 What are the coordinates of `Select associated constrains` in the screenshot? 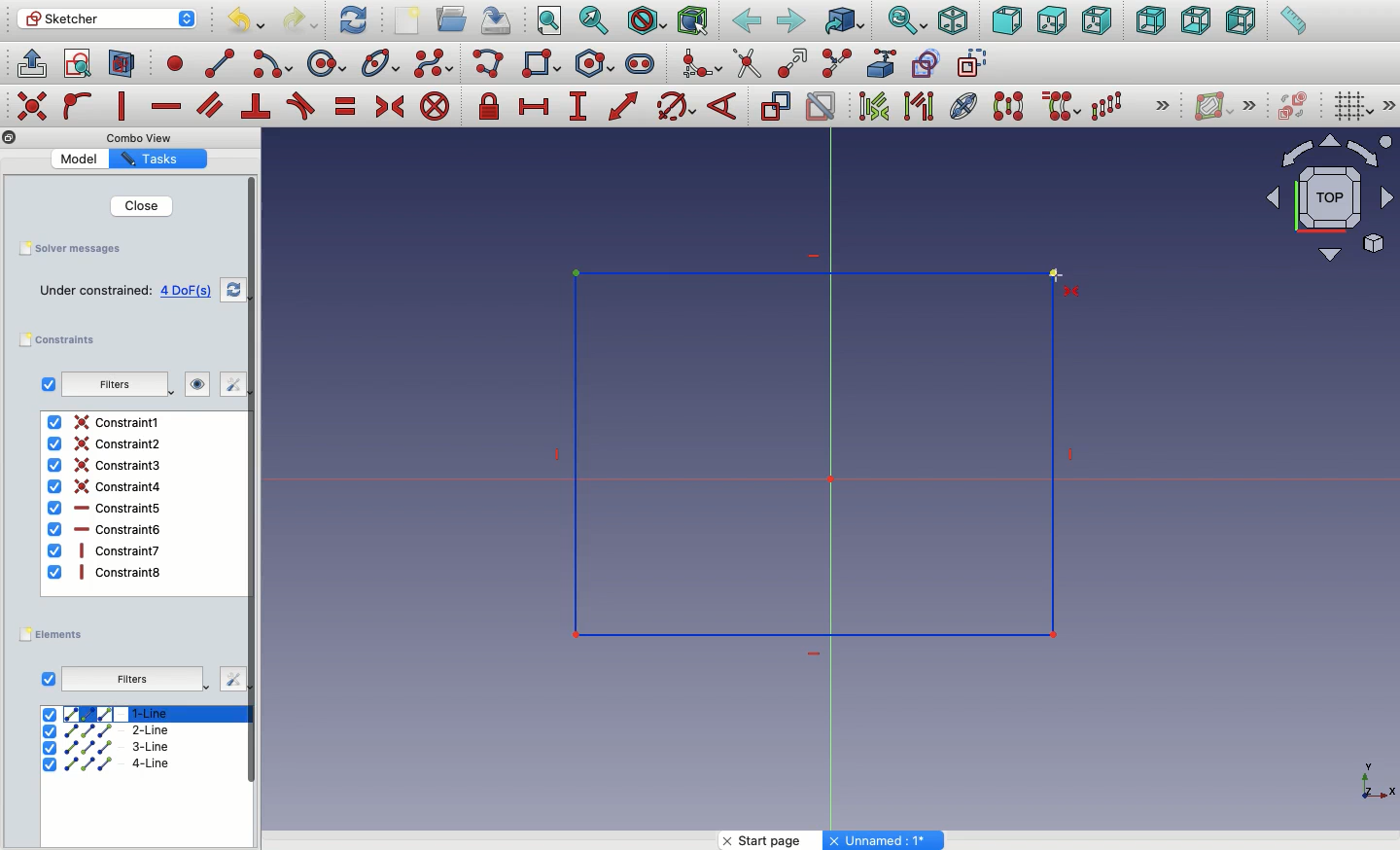 It's located at (870, 106).